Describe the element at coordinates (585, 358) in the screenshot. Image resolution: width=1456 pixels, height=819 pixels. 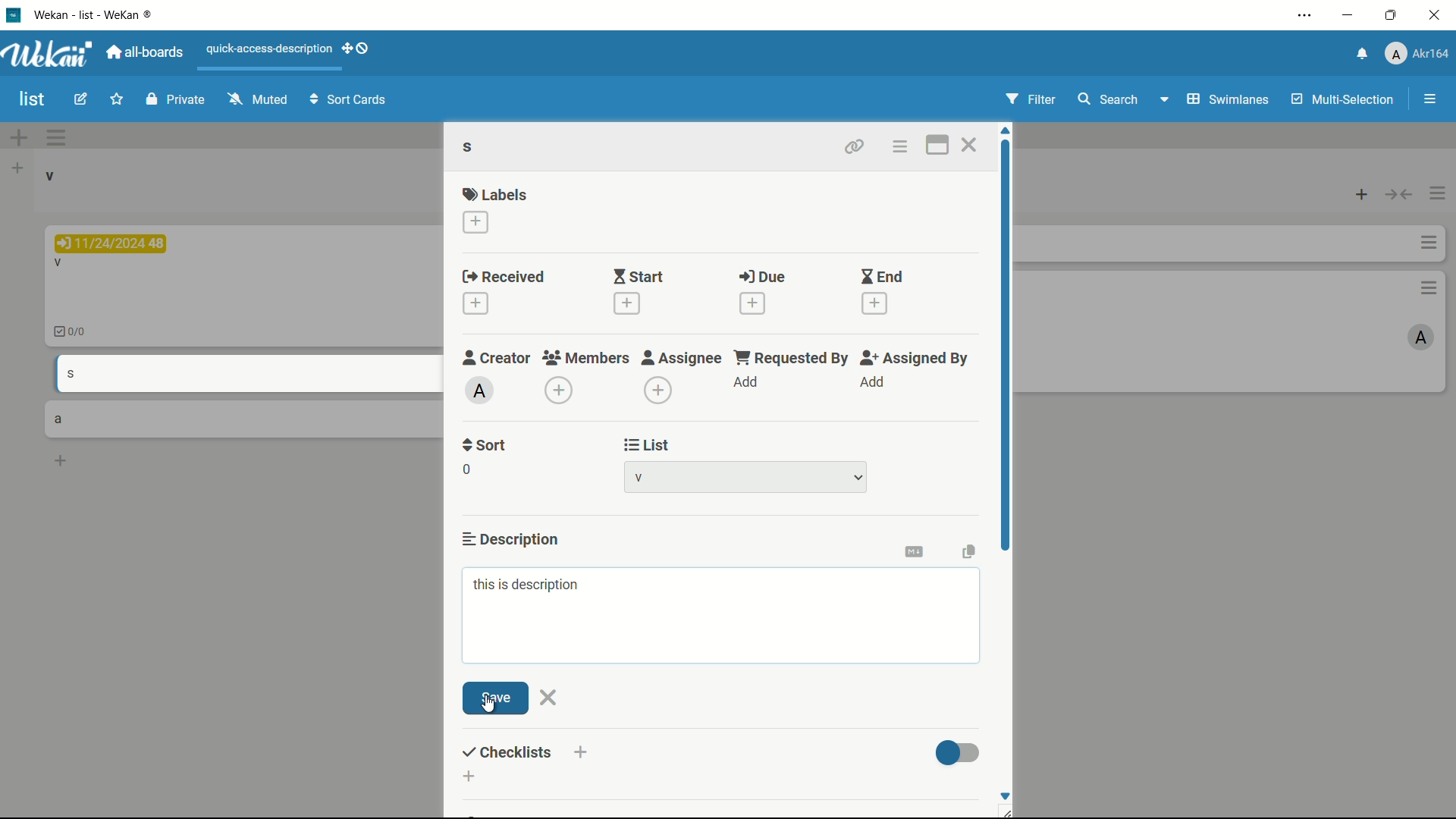
I see `members` at that location.